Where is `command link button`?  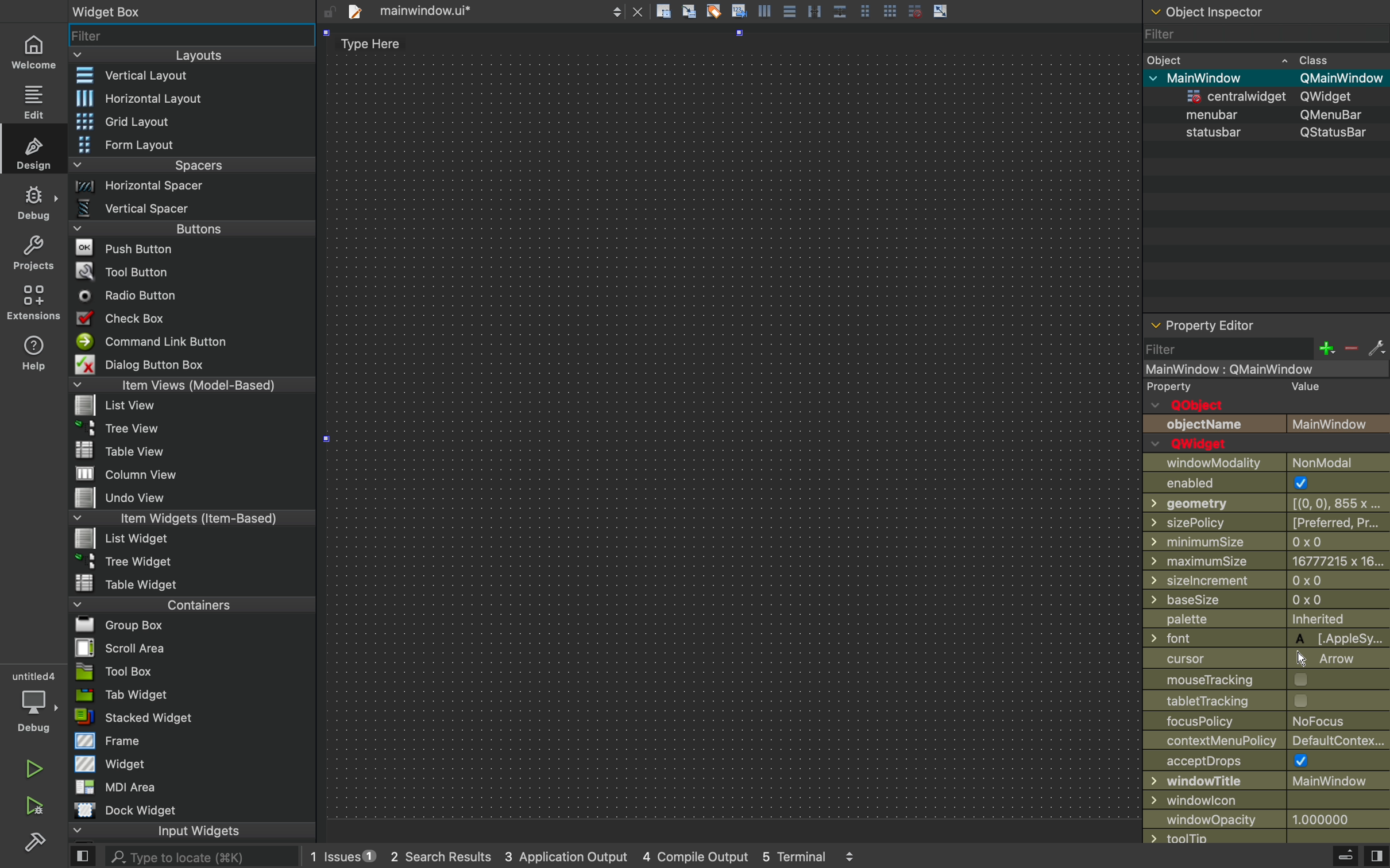 command link button is located at coordinates (194, 340).